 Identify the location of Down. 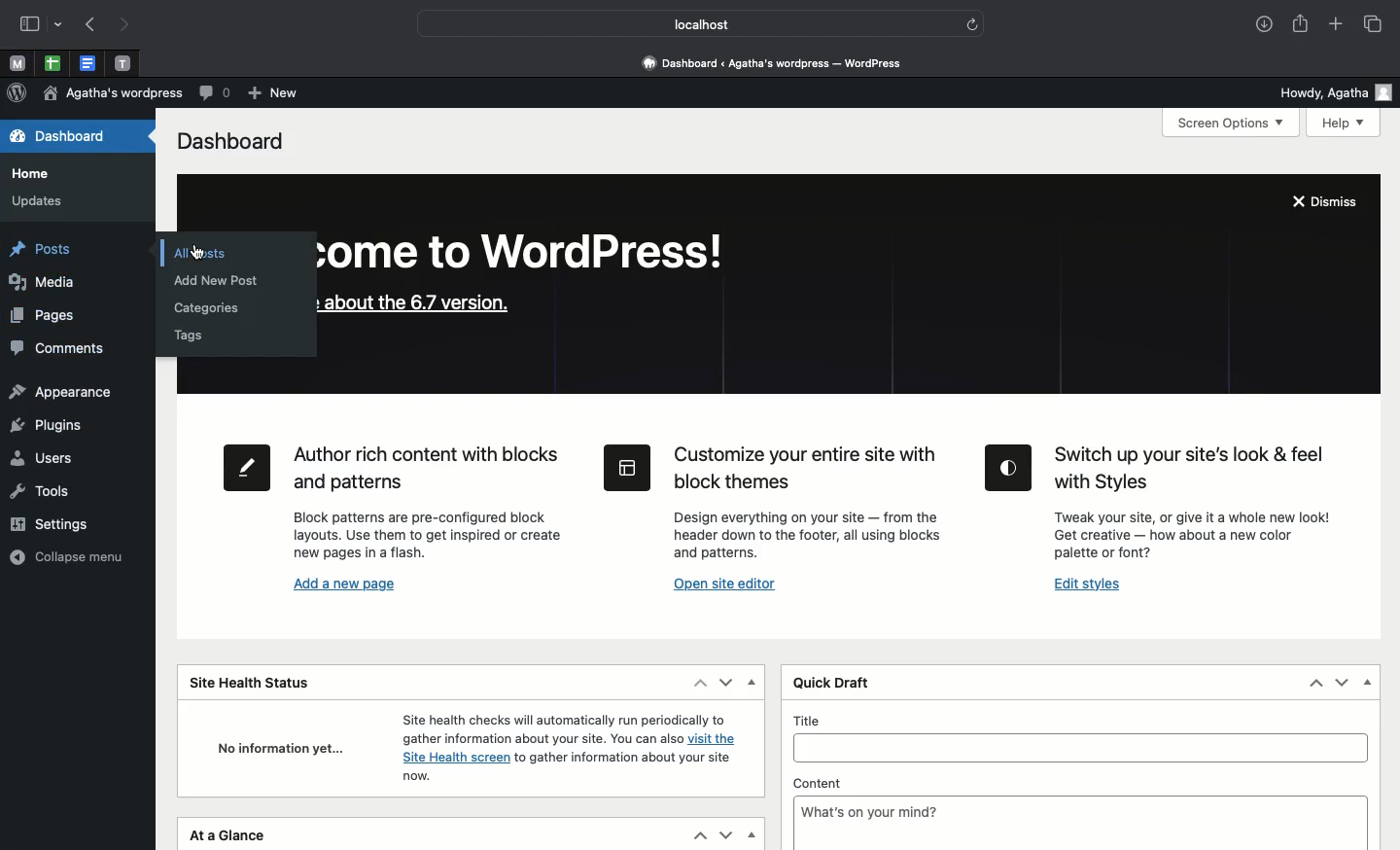
(726, 684).